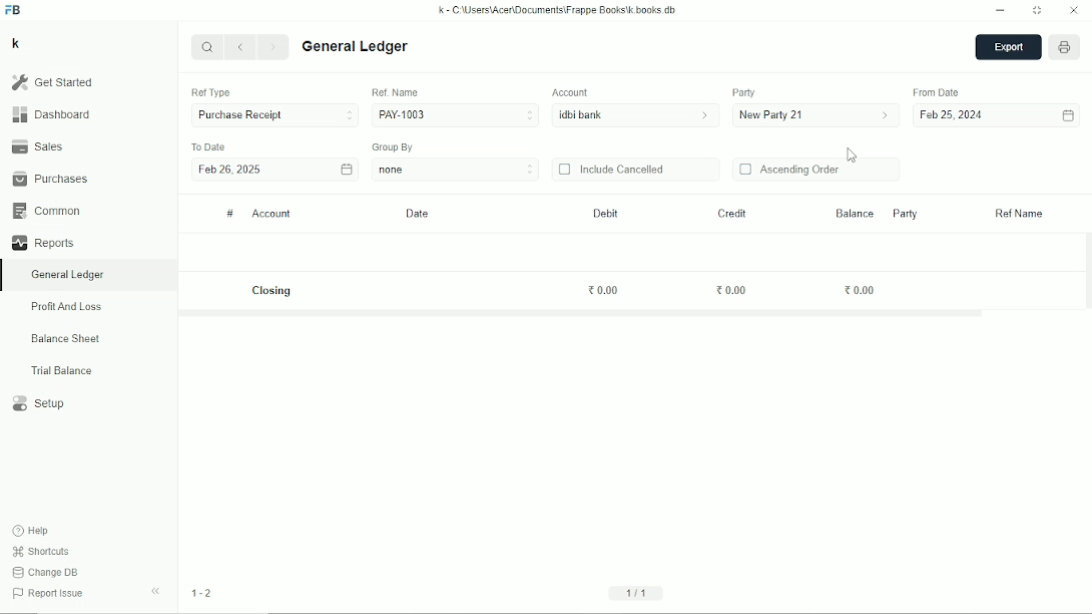 The image size is (1092, 614). What do you see at coordinates (953, 116) in the screenshot?
I see `Feb 25, 2024` at bounding box center [953, 116].